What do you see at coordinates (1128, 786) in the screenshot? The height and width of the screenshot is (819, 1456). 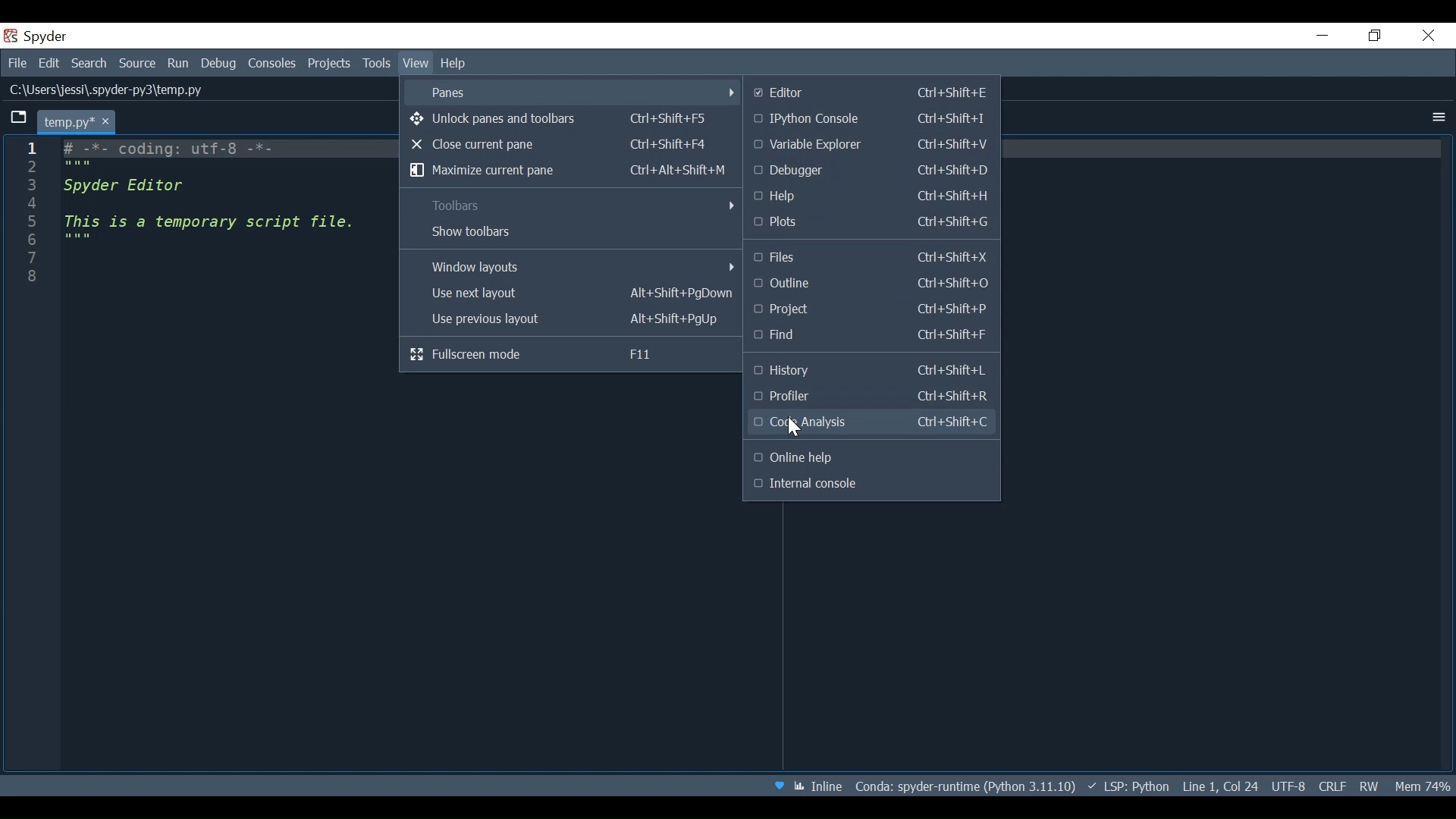 I see `Language` at bounding box center [1128, 786].